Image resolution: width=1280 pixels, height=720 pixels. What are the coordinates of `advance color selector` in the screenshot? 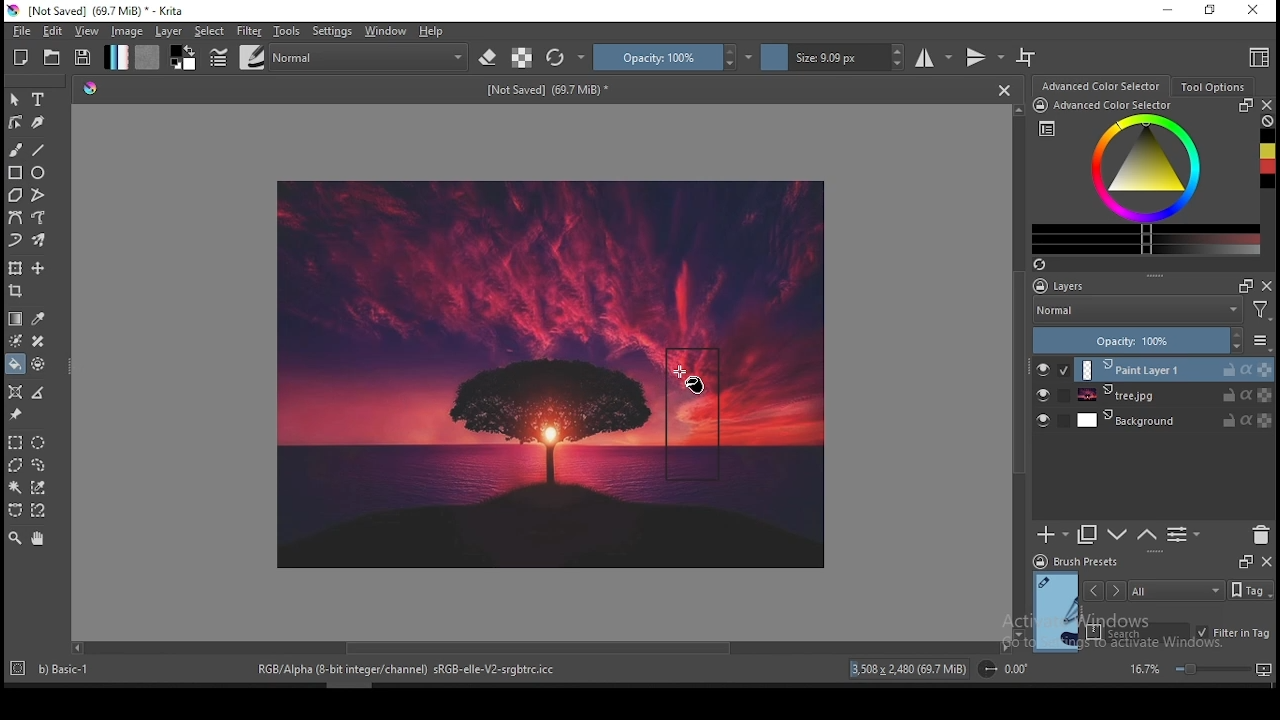 It's located at (1099, 86).